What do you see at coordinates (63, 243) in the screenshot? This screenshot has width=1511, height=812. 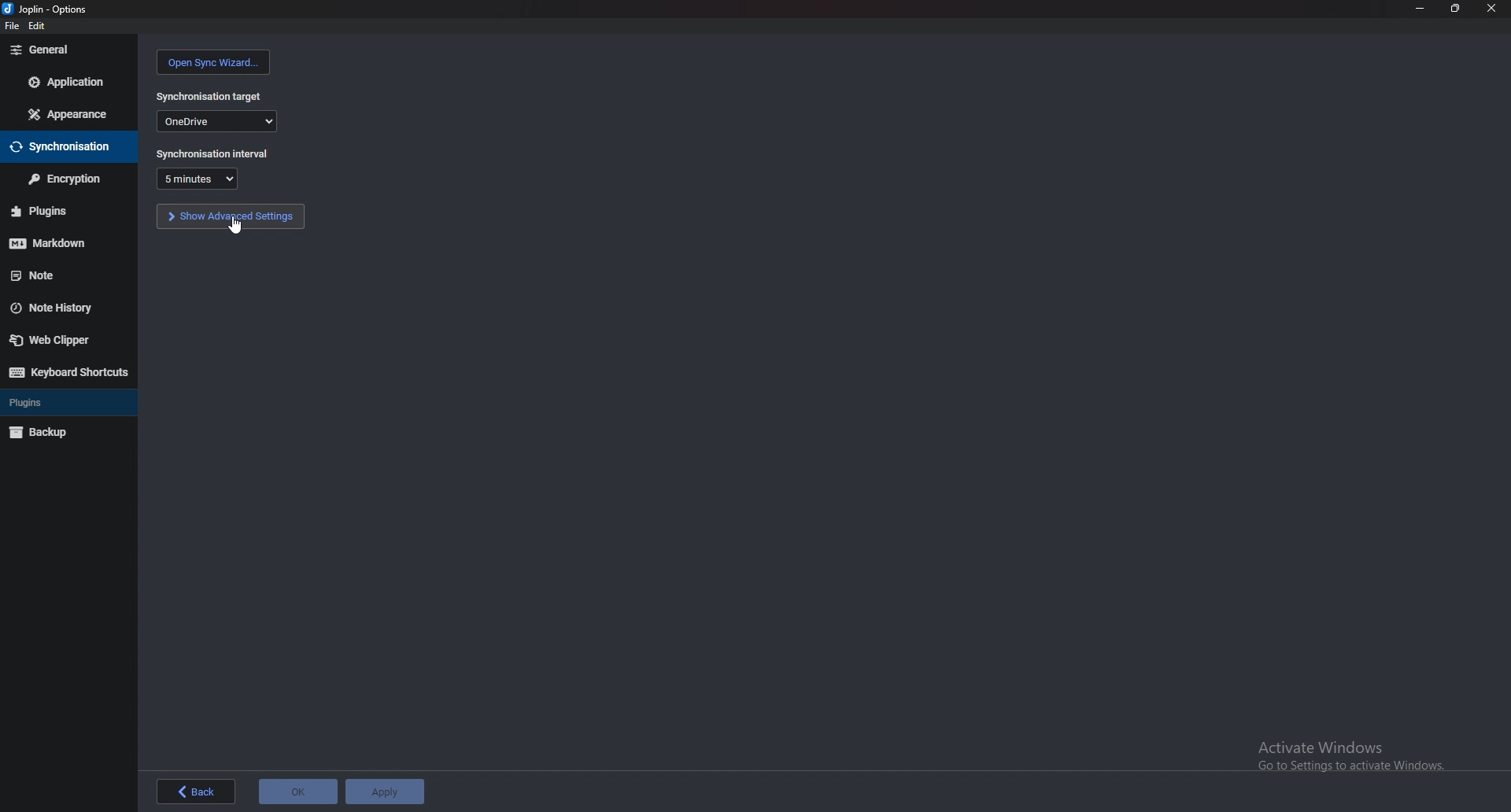 I see `markdown` at bounding box center [63, 243].